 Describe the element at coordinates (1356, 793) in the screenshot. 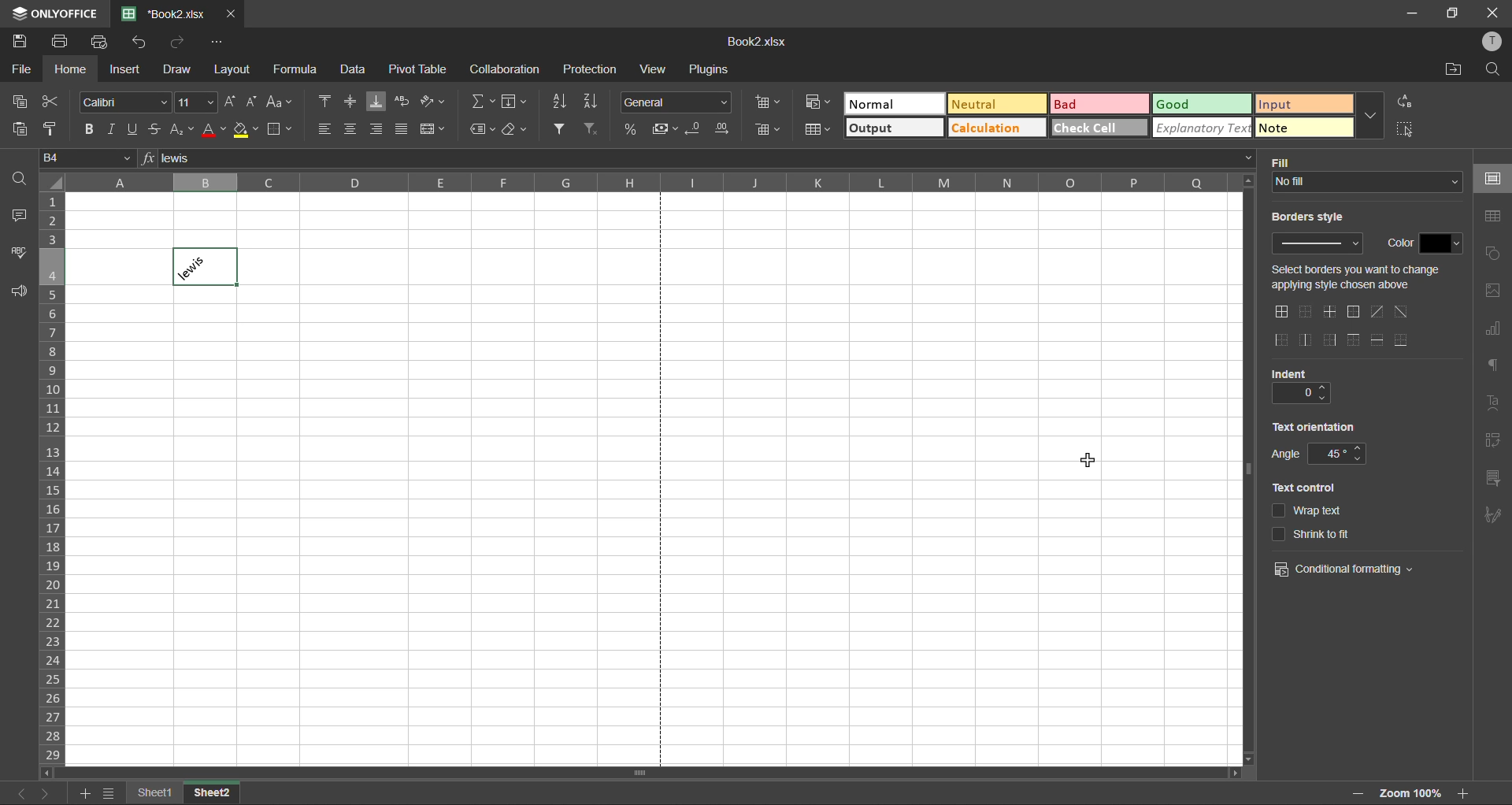

I see `zoom in` at that location.